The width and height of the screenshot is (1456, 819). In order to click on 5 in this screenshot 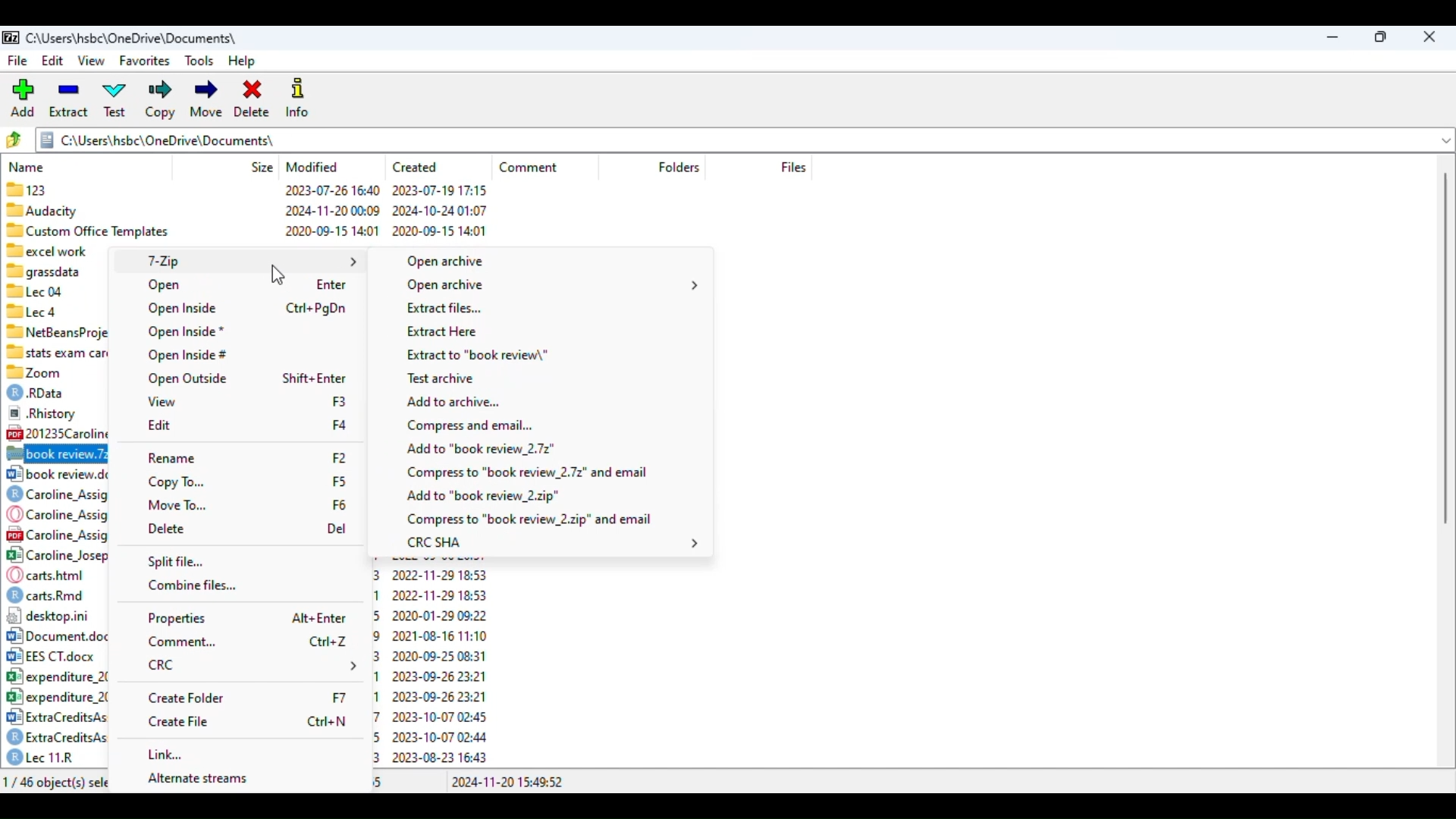, I will do `click(378, 781)`.